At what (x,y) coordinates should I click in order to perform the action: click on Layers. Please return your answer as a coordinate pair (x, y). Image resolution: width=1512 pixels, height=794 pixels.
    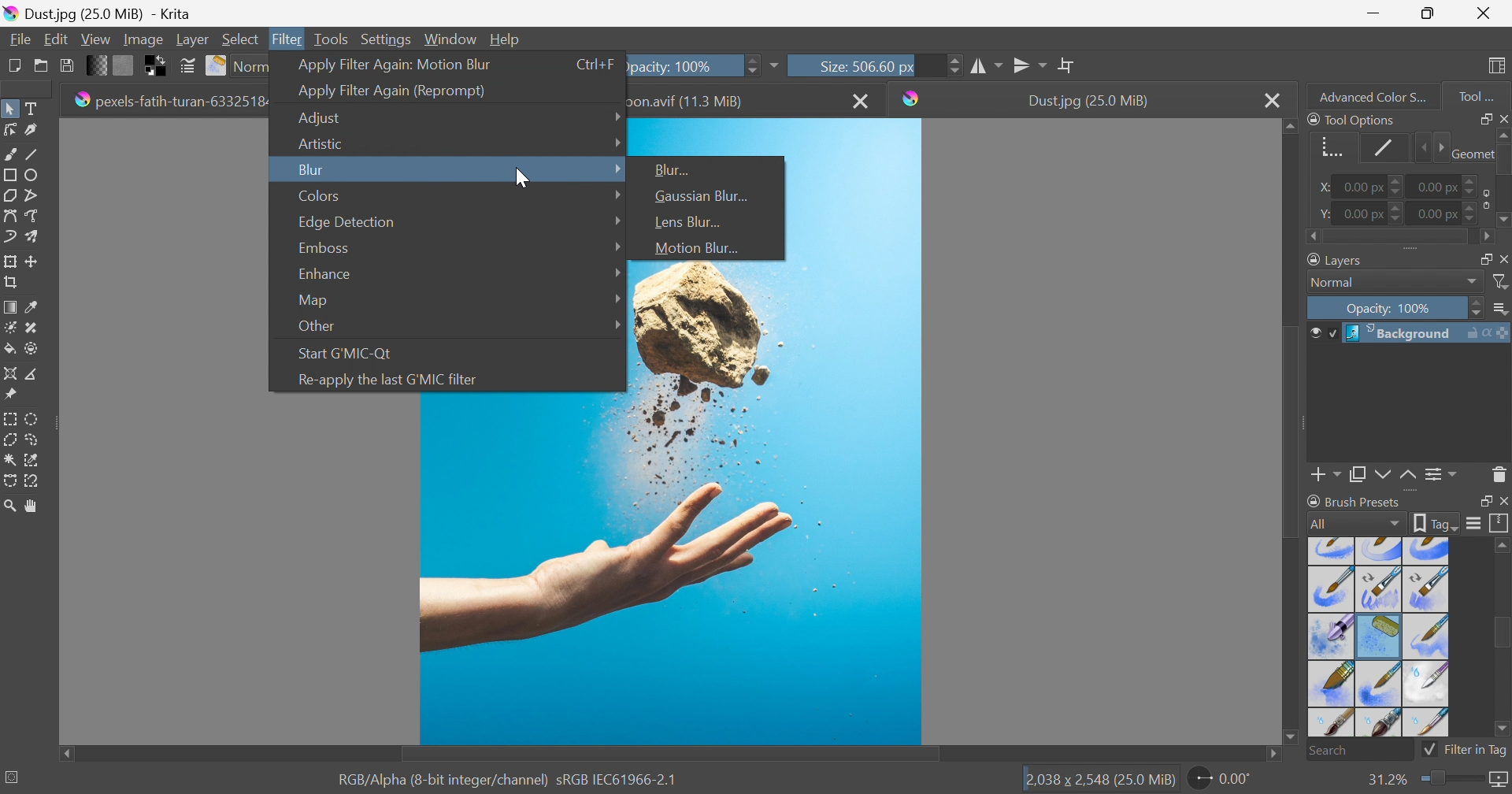
    Looking at the image, I should click on (1480, 257).